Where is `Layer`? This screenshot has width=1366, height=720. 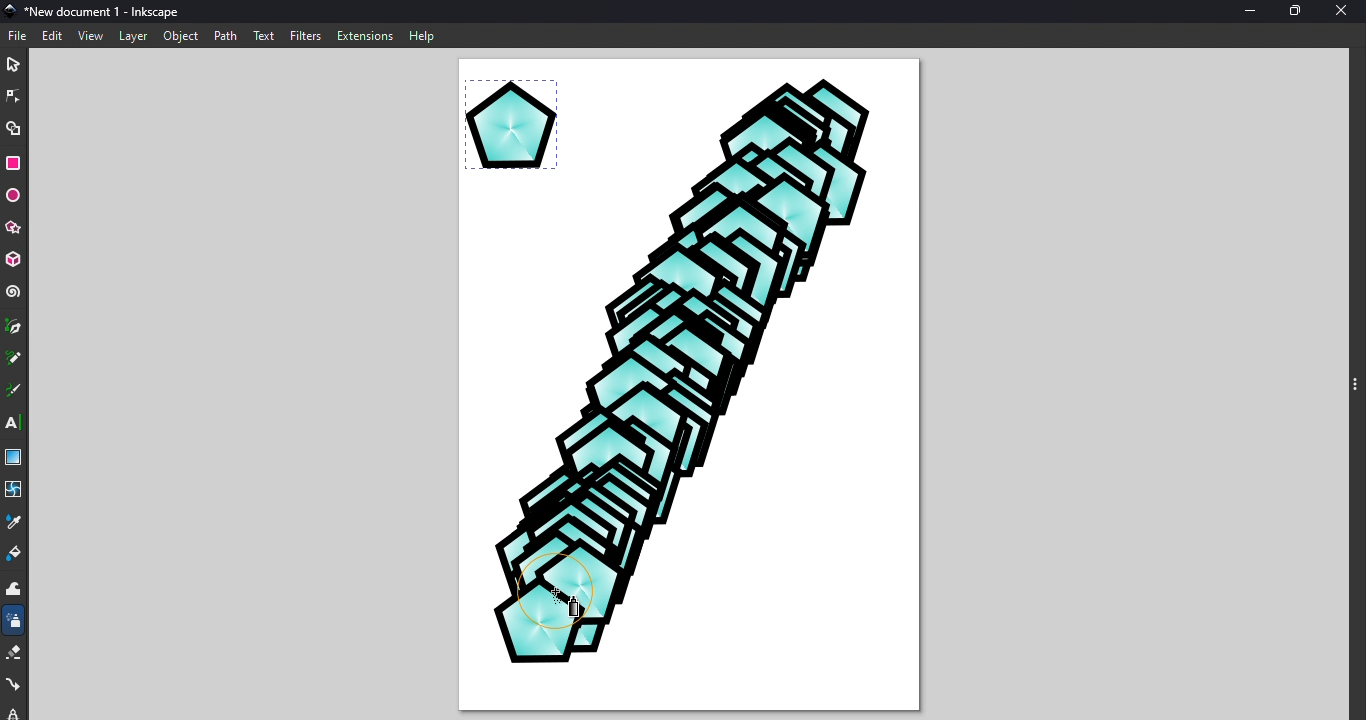 Layer is located at coordinates (132, 35).